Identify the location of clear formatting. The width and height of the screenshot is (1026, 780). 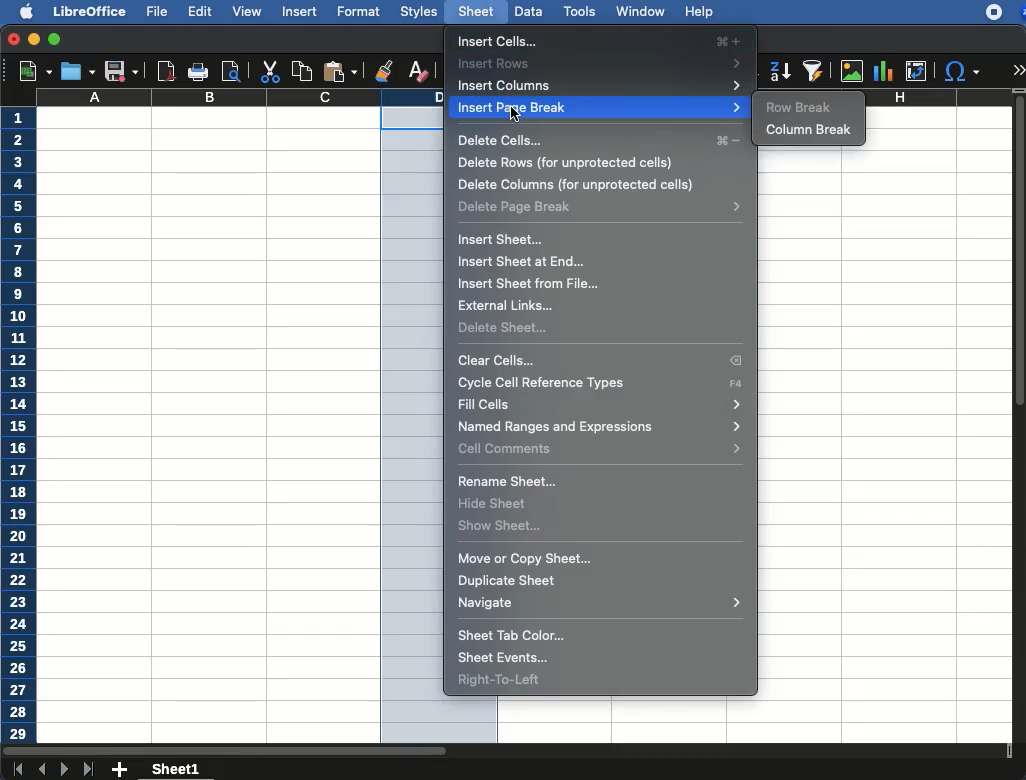
(417, 73).